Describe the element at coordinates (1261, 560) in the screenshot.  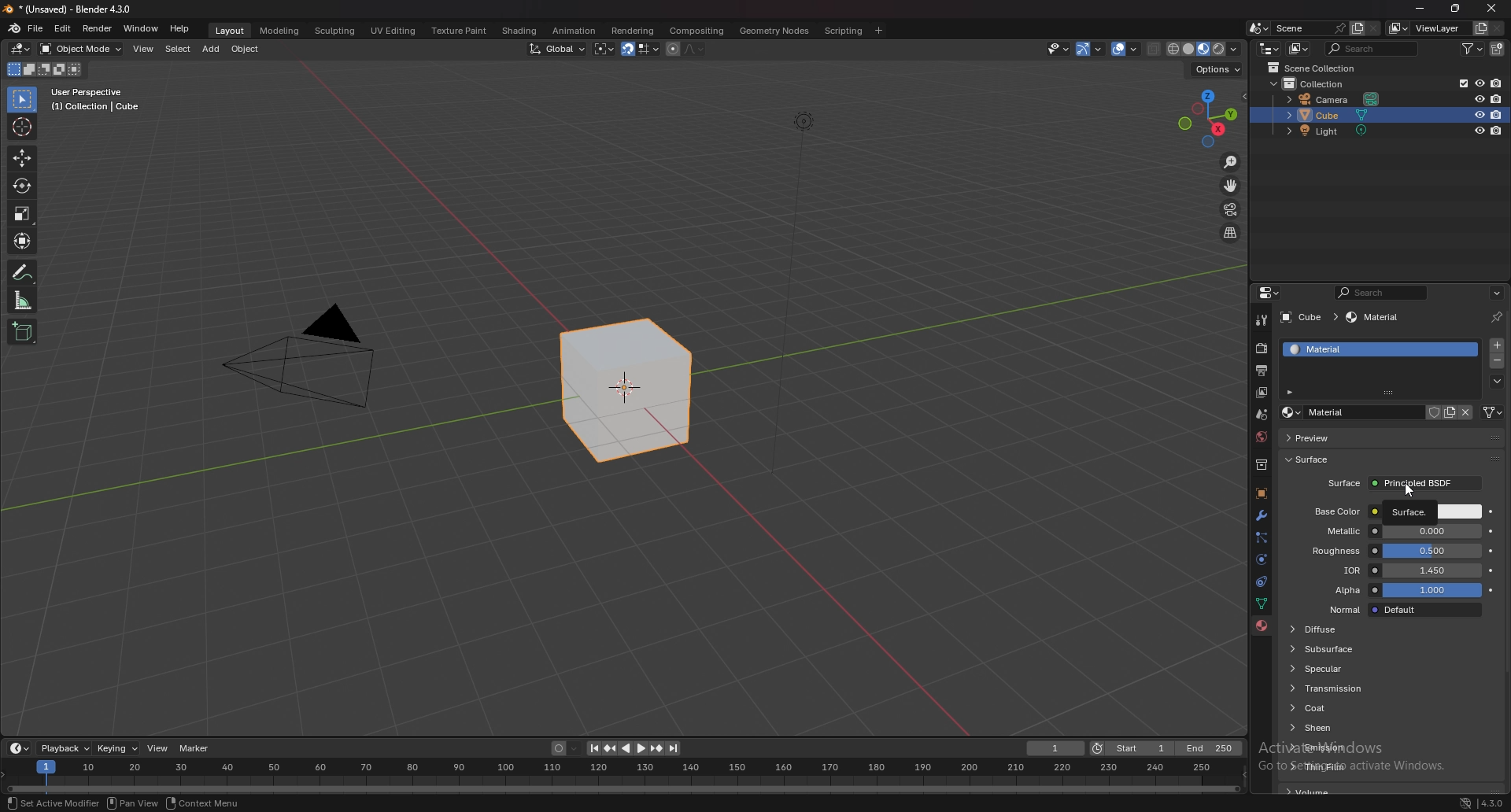
I see `physics` at that location.